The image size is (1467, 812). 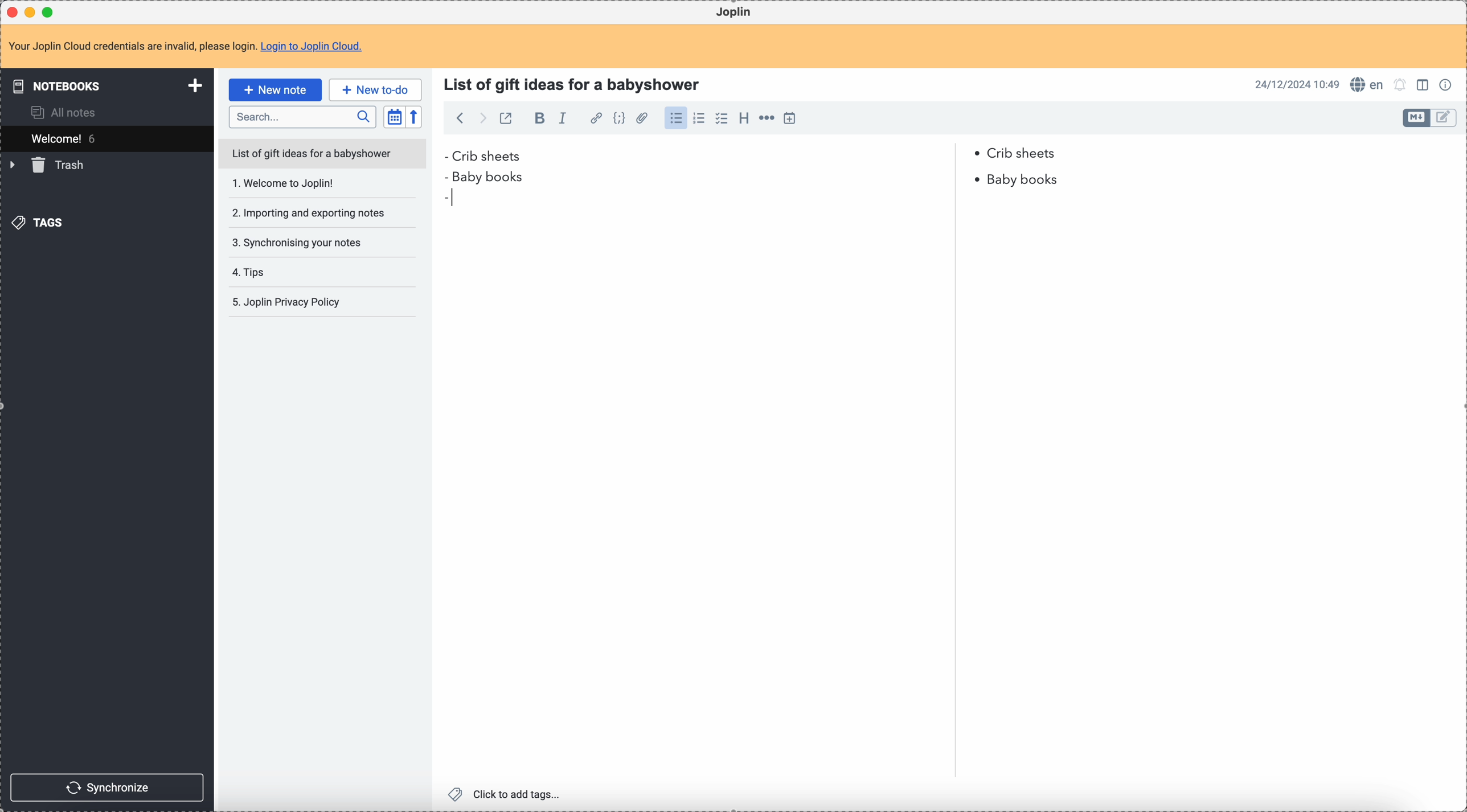 What do you see at coordinates (445, 156) in the screenshot?
I see `bullet point` at bounding box center [445, 156].